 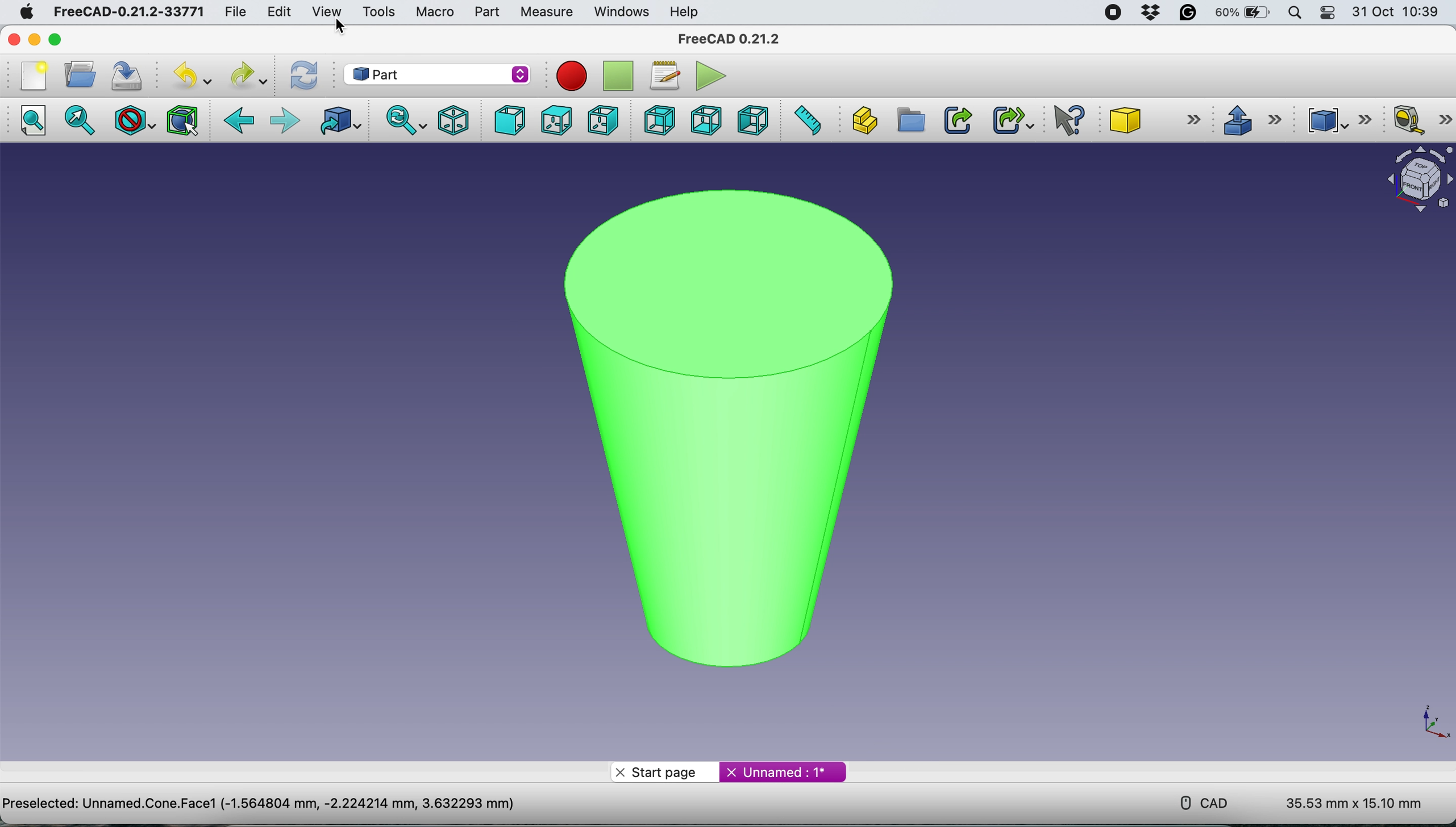 I want to click on view, so click(x=326, y=11).